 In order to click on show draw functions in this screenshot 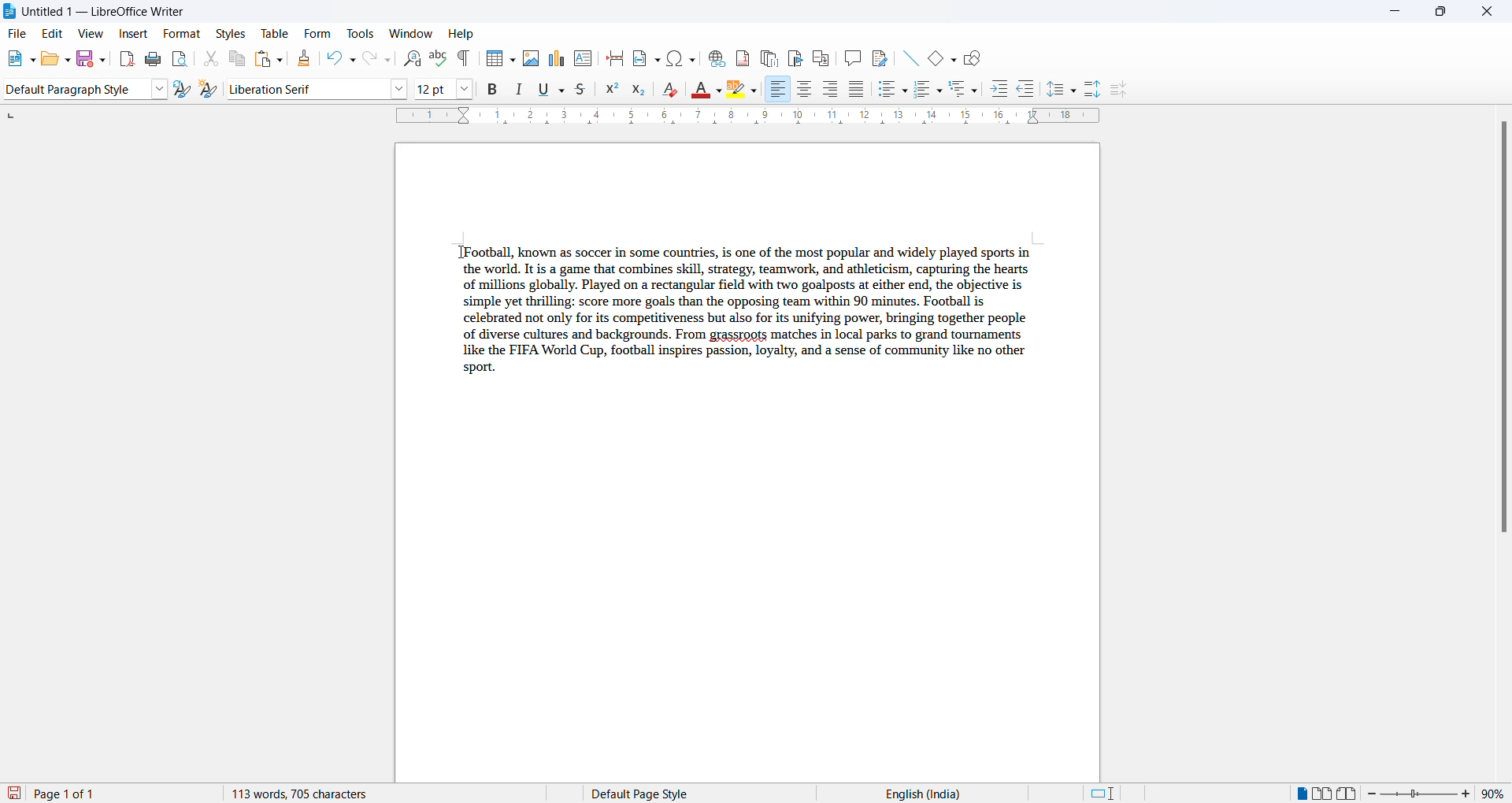, I will do `click(975, 59)`.